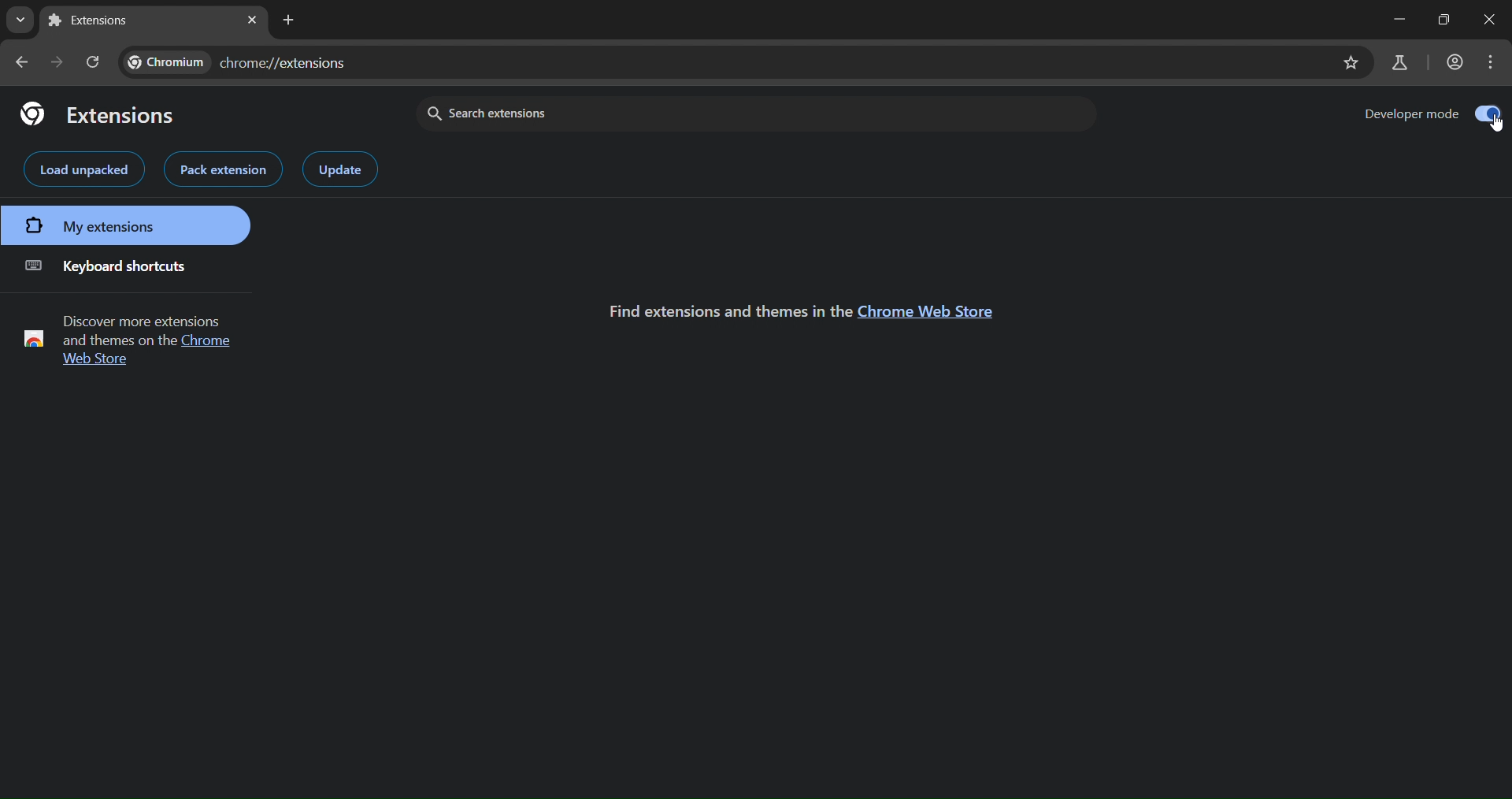  Describe the element at coordinates (1402, 63) in the screenshot. I see `search labs` at that location.